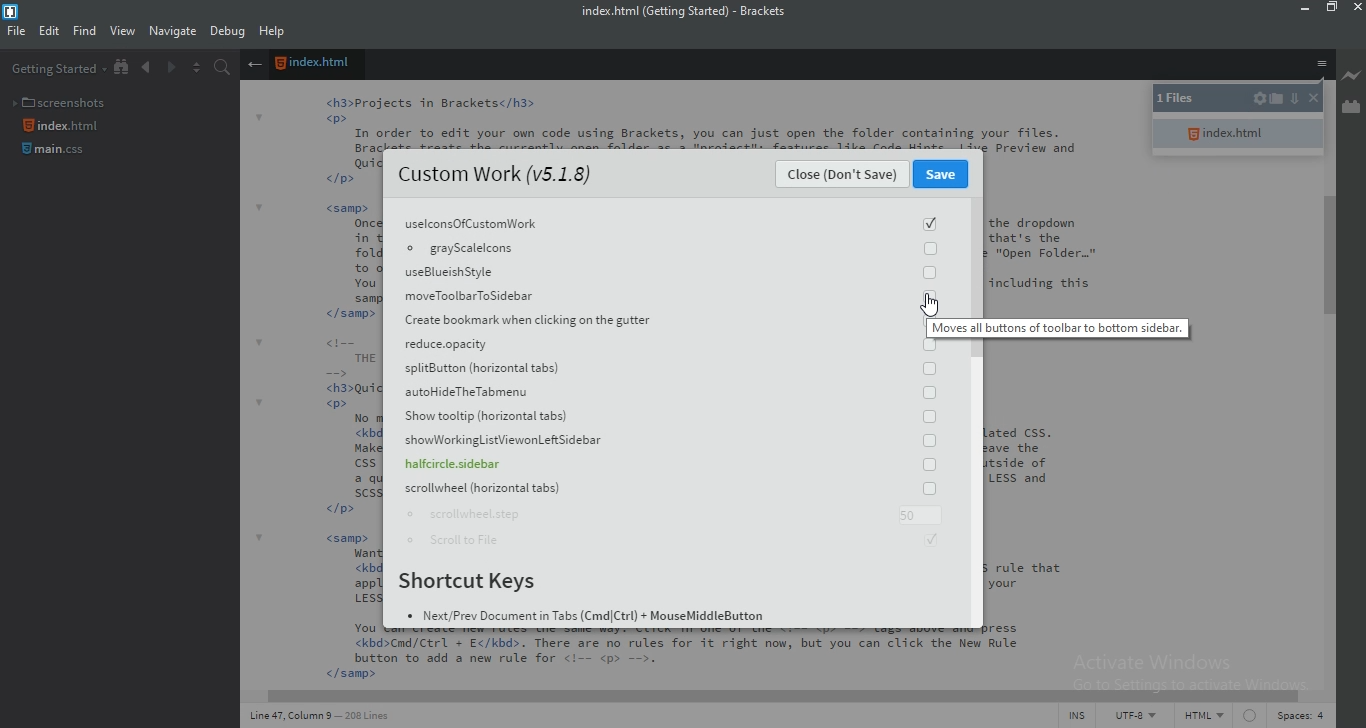 The image size is (1366, 728). Describe the element at coordinates (195, 68) in the screenshot. I see `Split the editor vertically or horizontally` at that location.